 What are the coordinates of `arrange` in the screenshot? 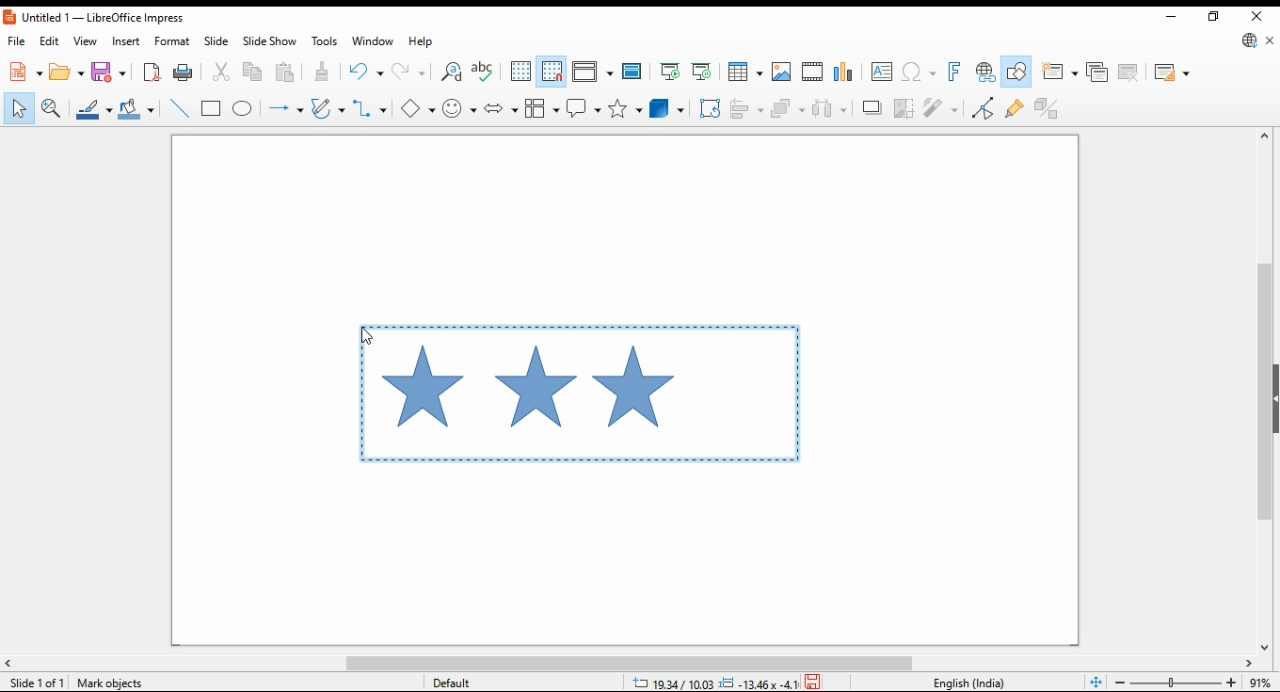 It's located at (789, 108).